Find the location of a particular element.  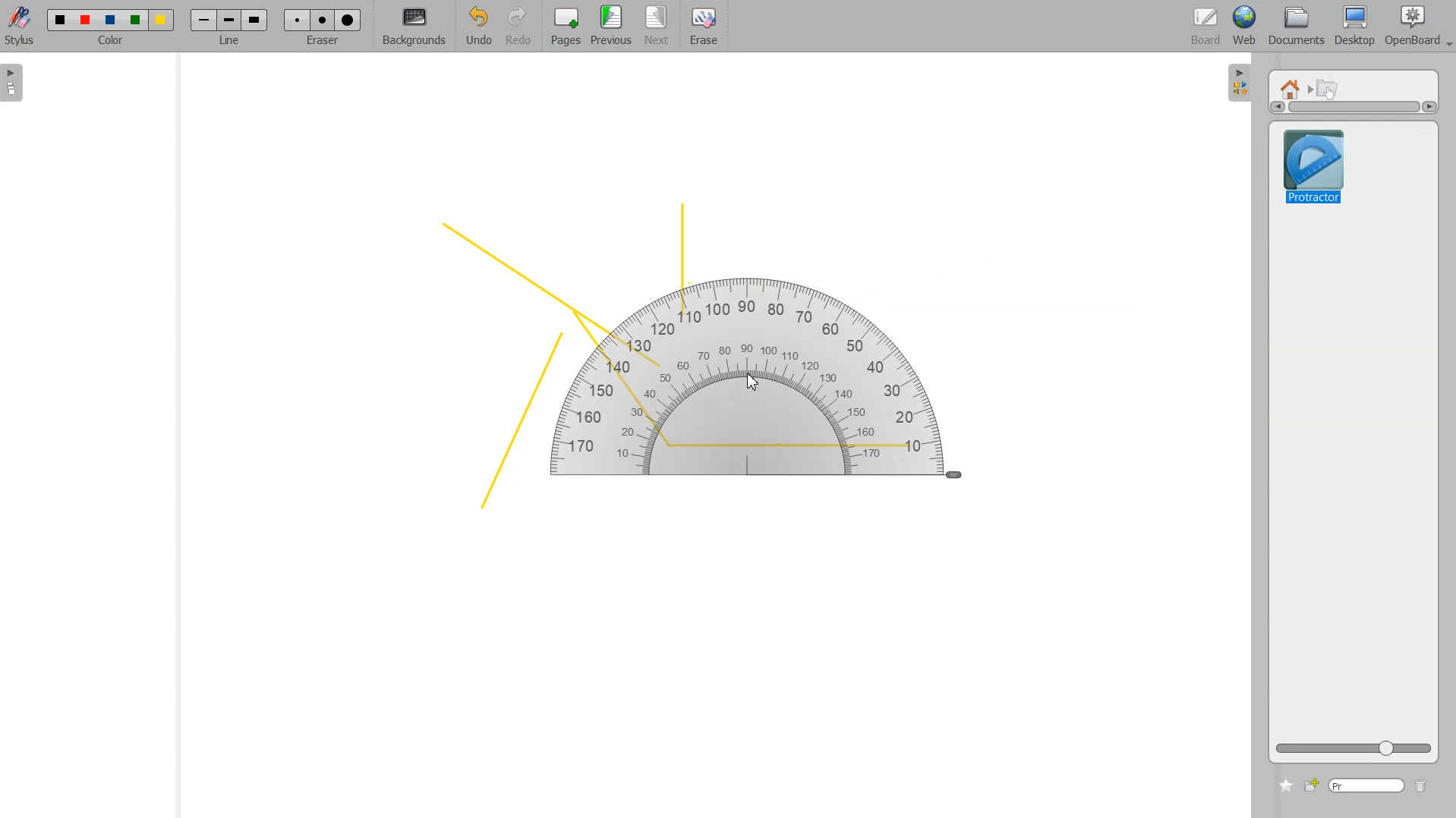

Pages is located at coordinates (564, 27).